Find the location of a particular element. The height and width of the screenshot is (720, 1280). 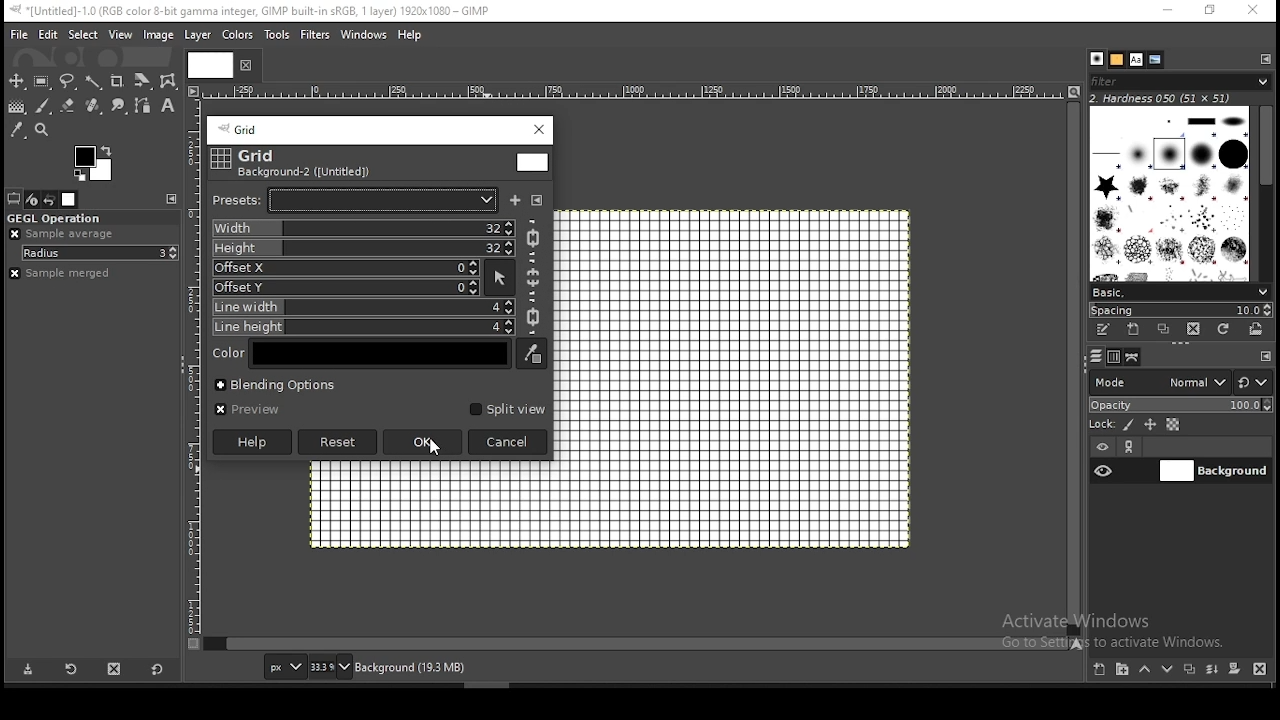

brushes is located at coordinates (1168, 194).